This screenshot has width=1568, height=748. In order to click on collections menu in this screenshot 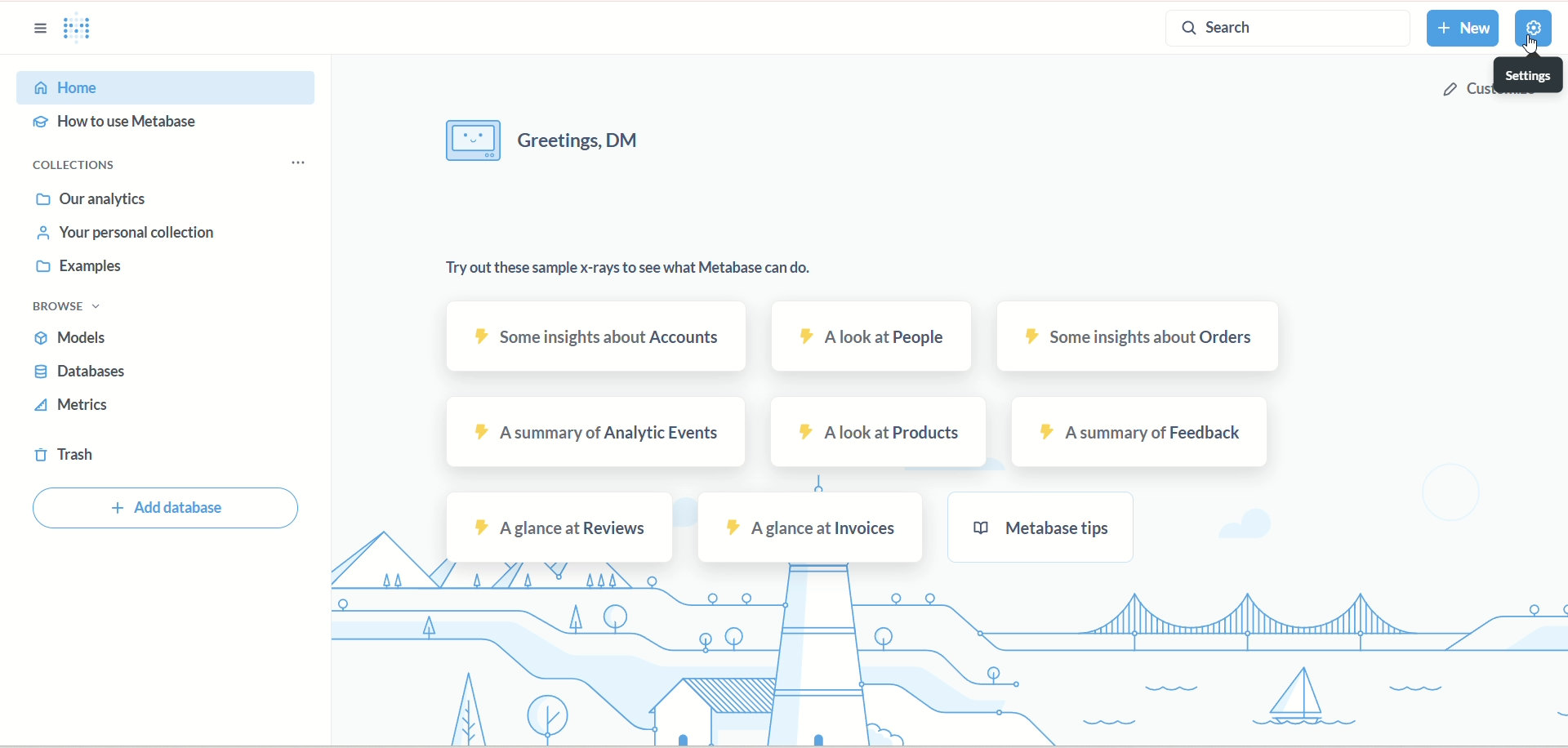, I will do `click(298, 163)`.